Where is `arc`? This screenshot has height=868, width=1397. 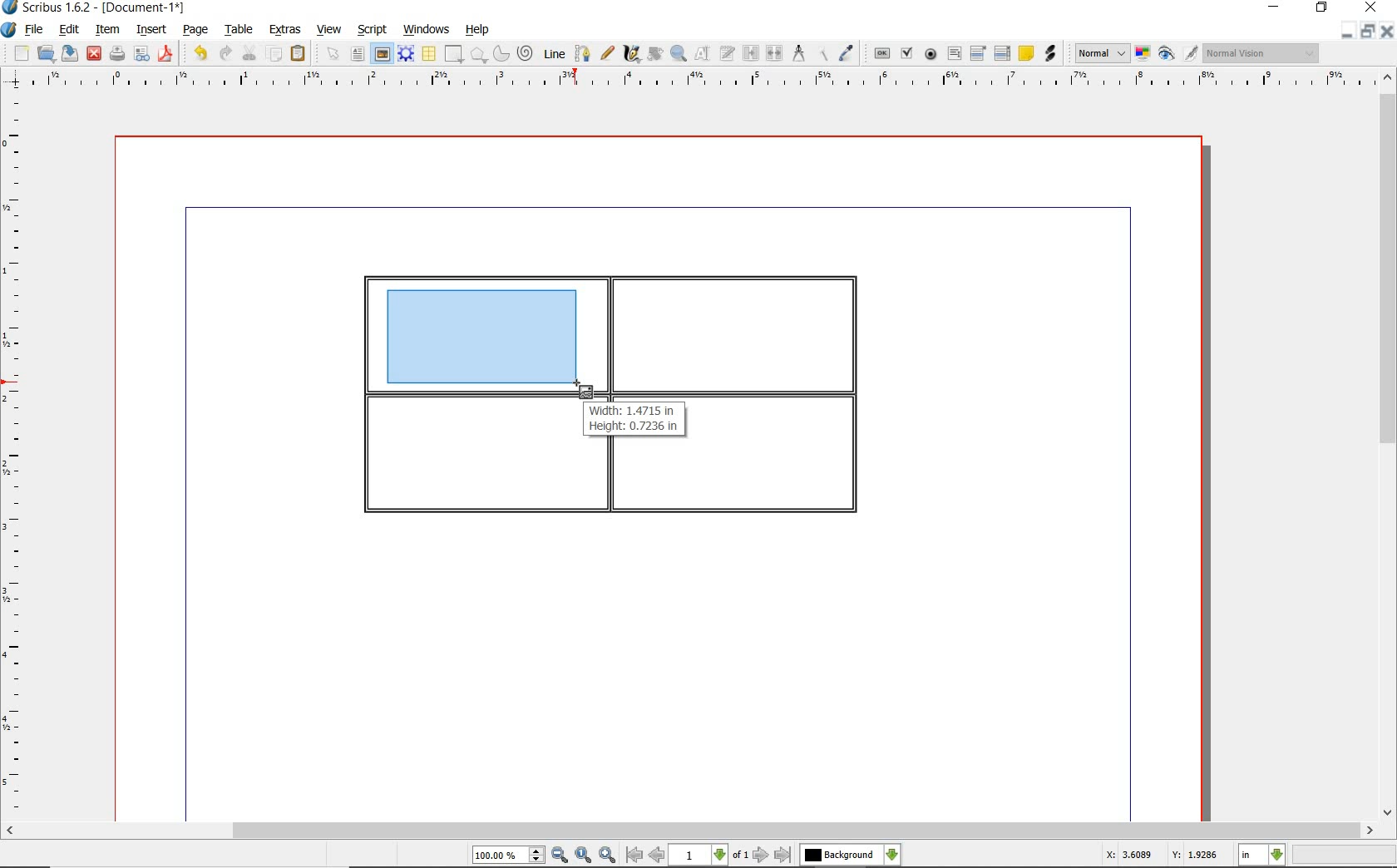
arc is located at coordinates (503, 55).